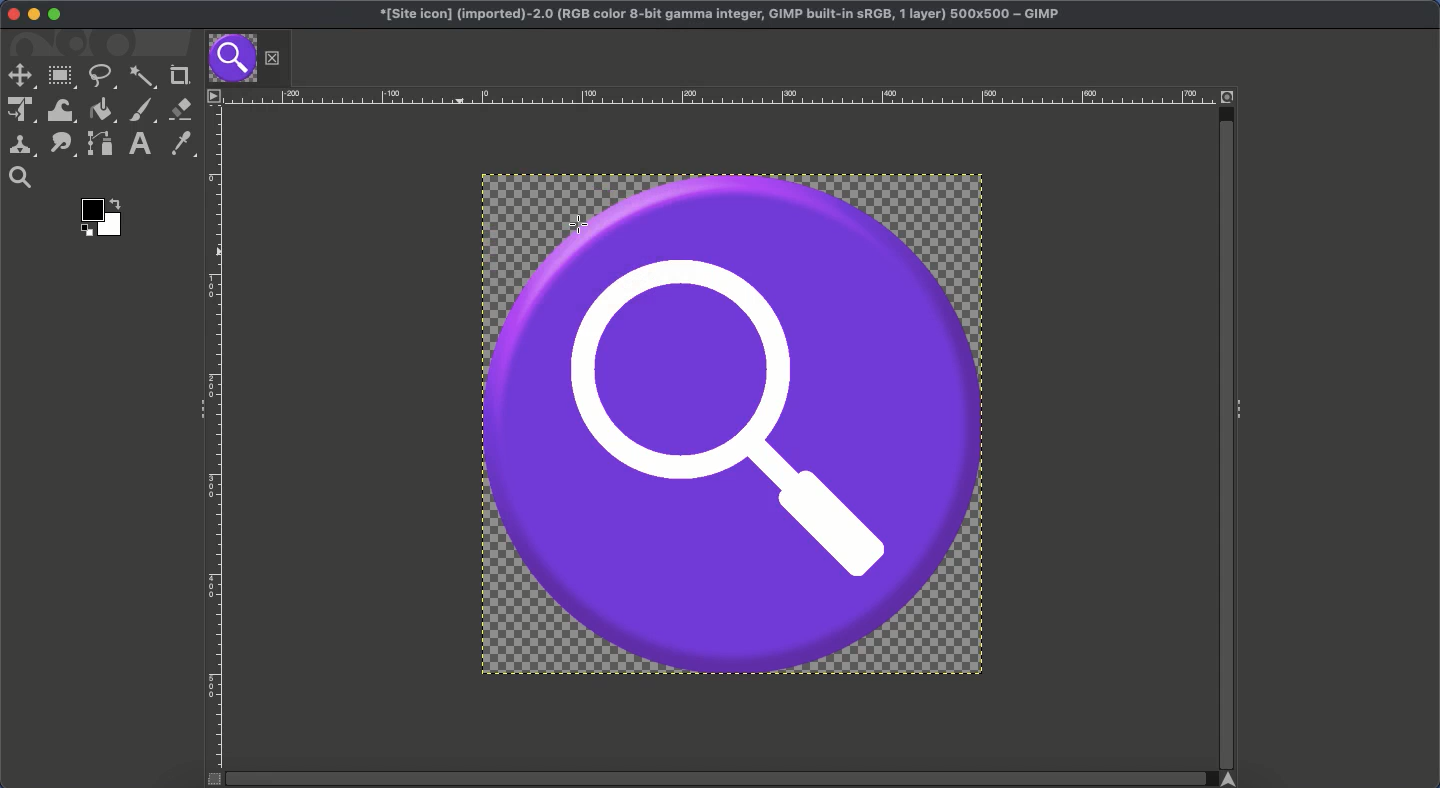  I want to click on Path, so click(100, 143).